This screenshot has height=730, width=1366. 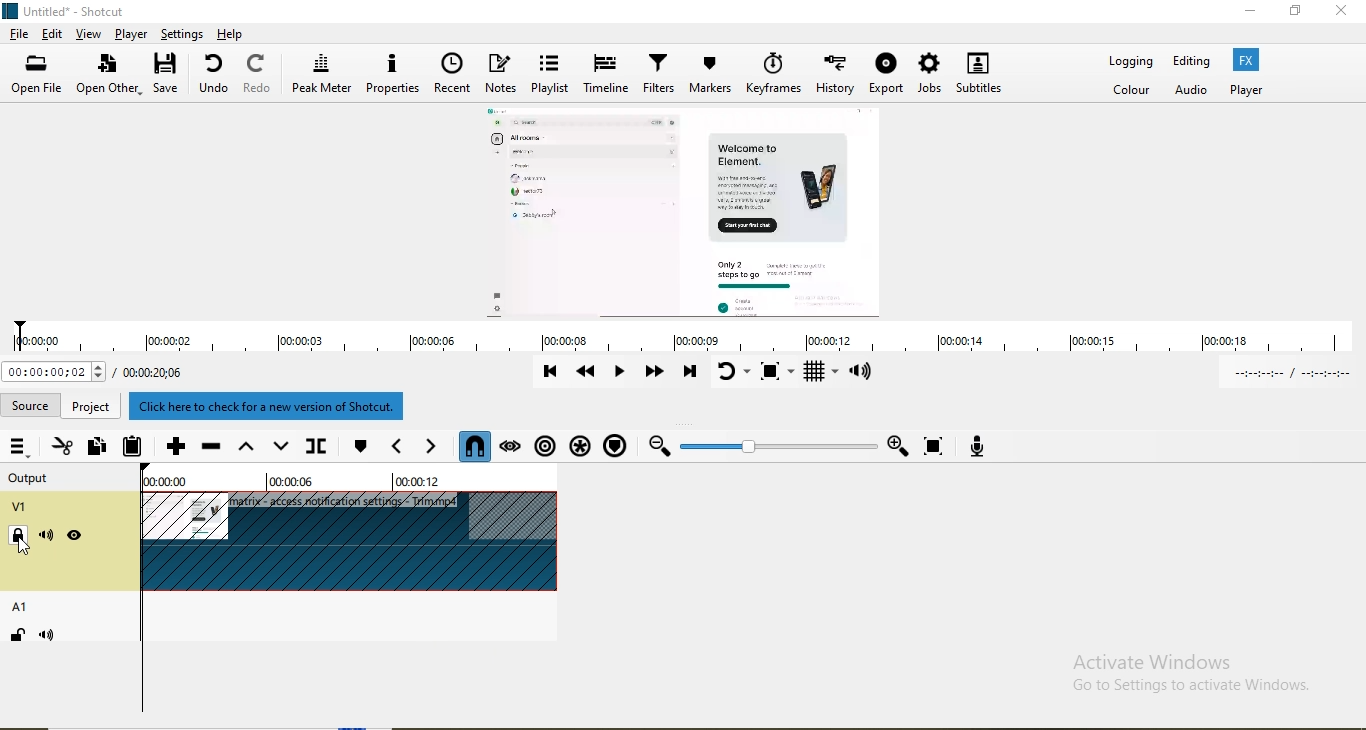 I want to click on Zoom timeline to fit, so click(x=936, y=447).